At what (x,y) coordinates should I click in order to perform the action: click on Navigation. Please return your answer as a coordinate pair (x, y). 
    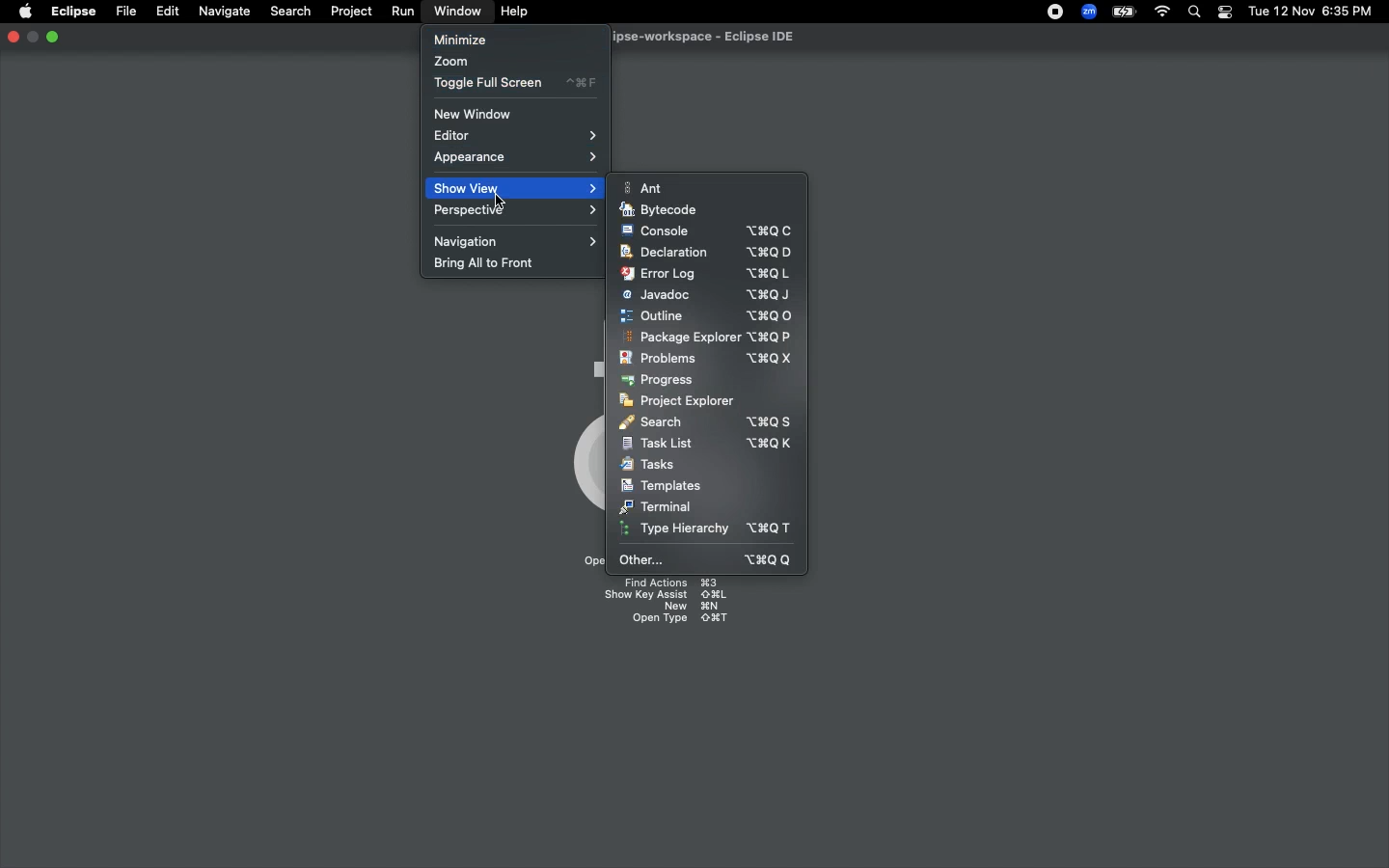
    Looking at the image, I should click on (518, 240).